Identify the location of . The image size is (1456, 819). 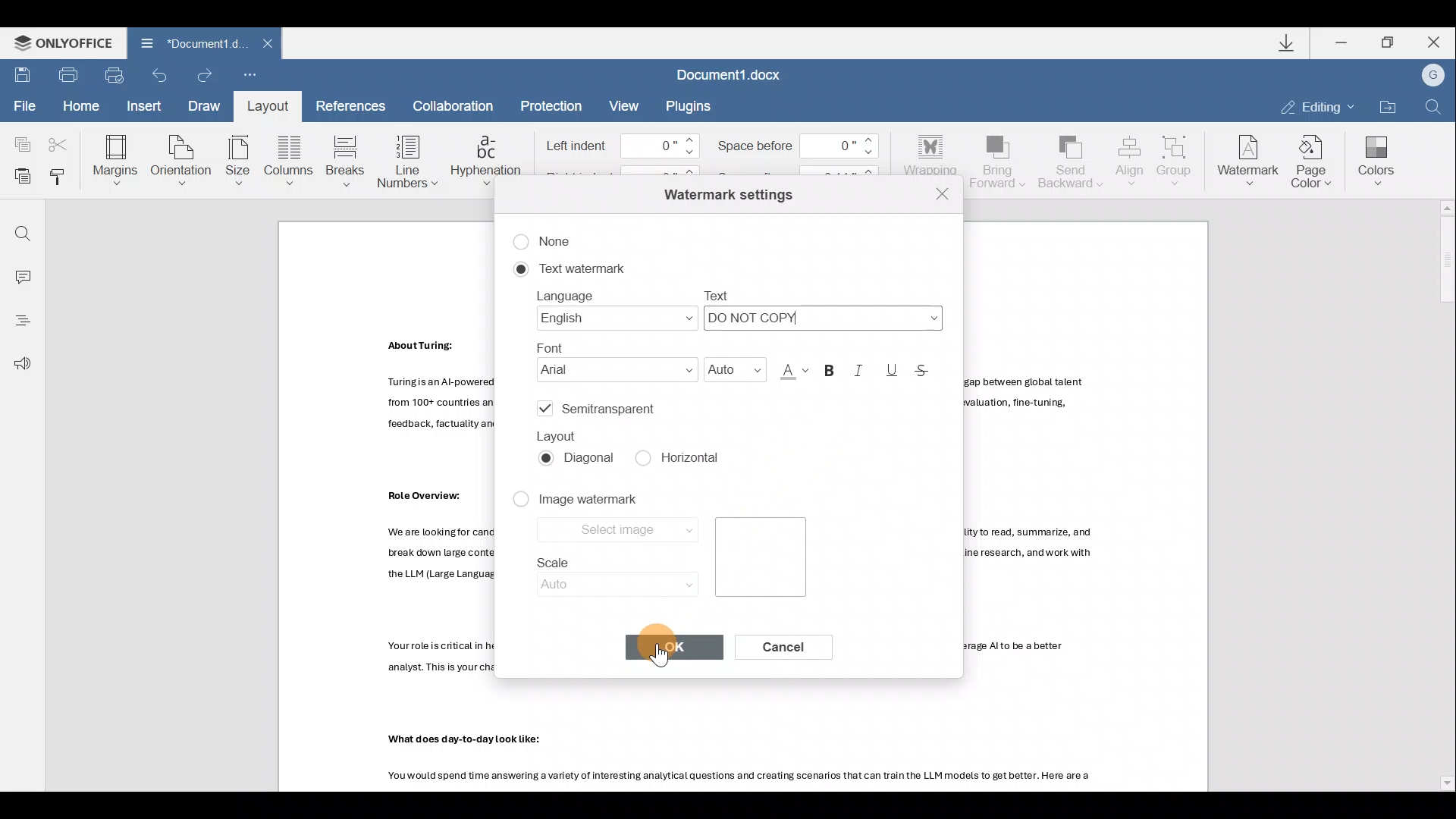
(422, 495).